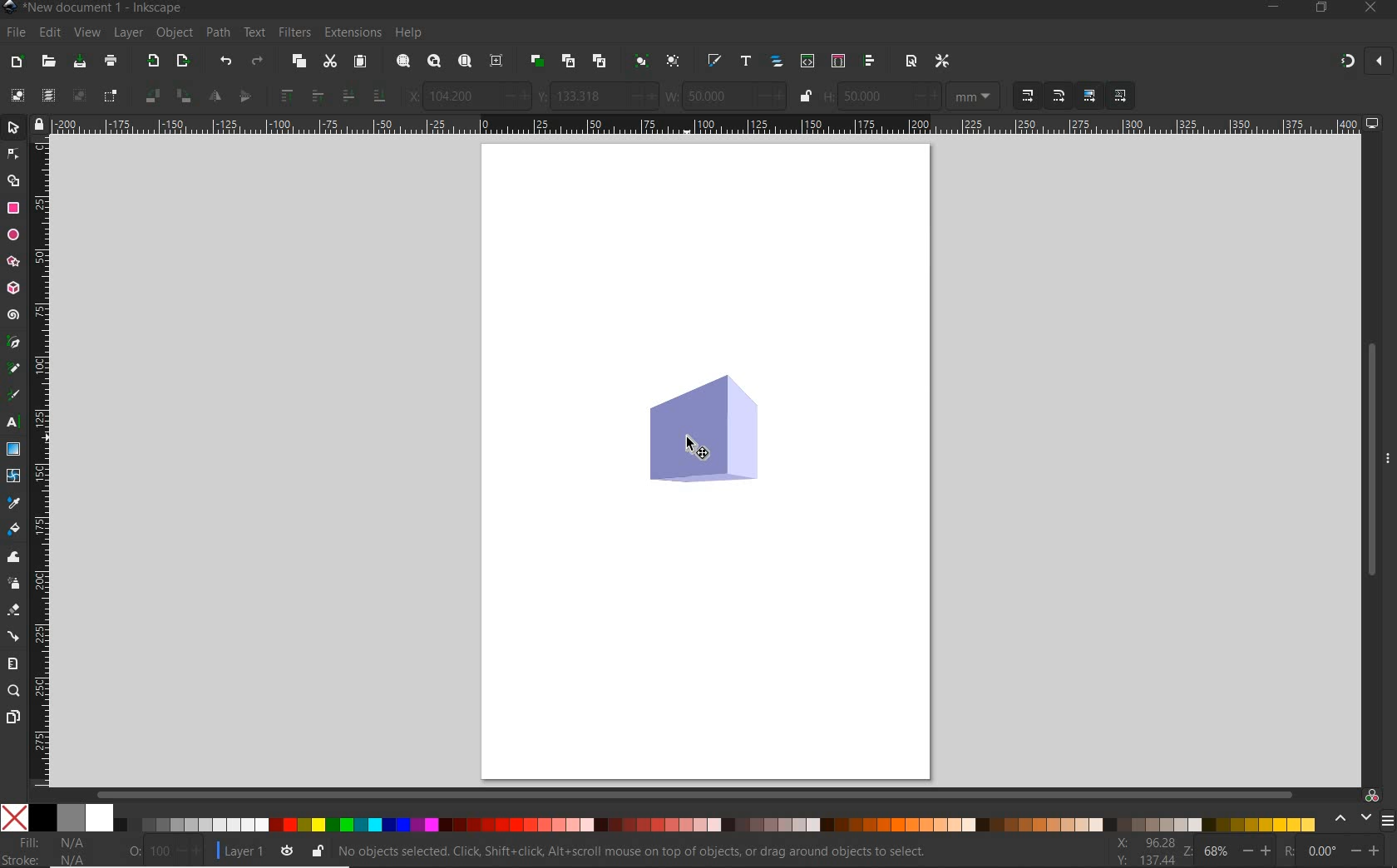 This screenshot has width=1397, height=868. Describe the element at coordinates (697, 448) in the screenshot. I see `cursor` at that location.